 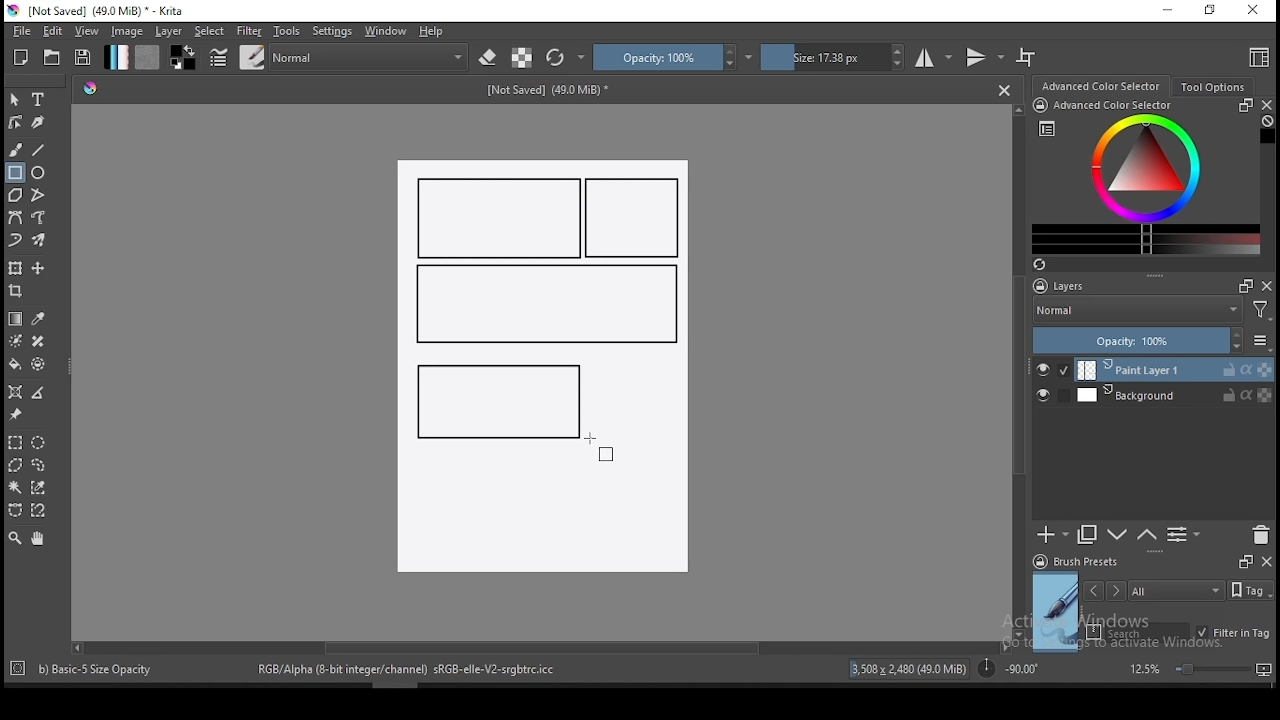 What do you see at coordinates (16, 489) in the screenshot?
I see `contiguous selection tool` at bounding box center [16, 489].